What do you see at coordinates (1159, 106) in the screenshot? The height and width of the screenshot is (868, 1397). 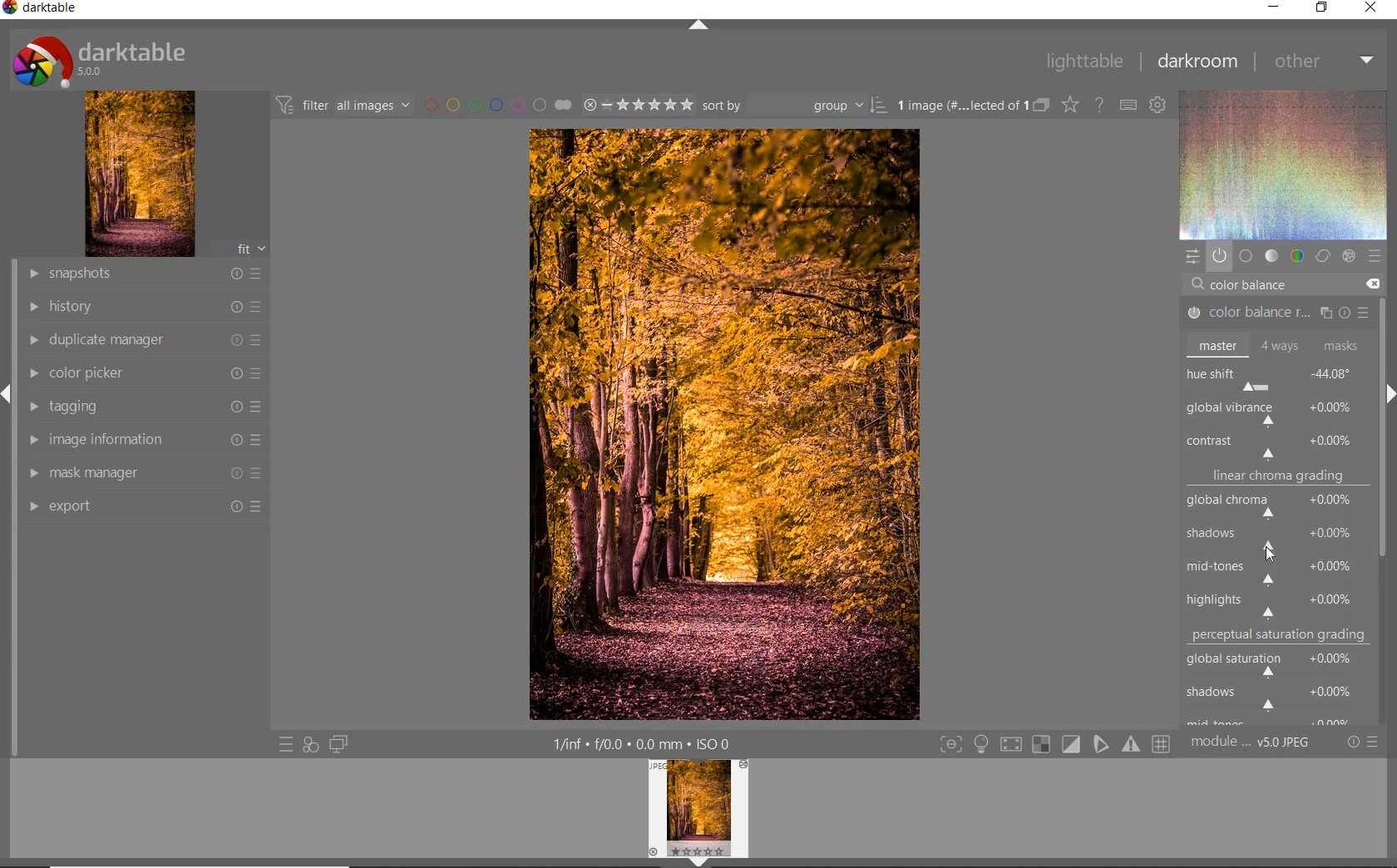 I see `show global preference` at bounding box center [1159, 106].